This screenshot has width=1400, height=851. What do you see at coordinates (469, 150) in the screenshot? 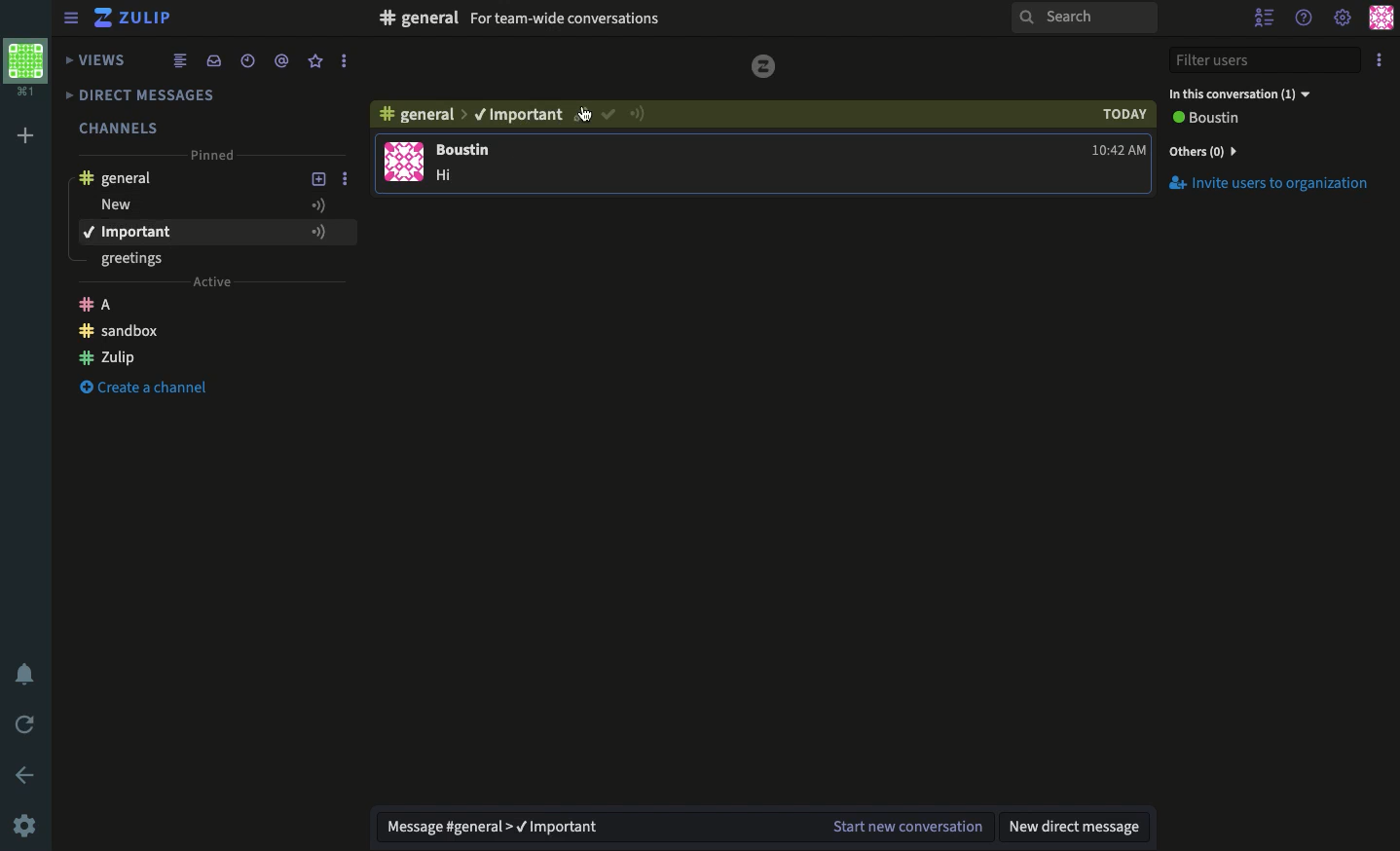
I see `user` at bounding box center [469, 150].